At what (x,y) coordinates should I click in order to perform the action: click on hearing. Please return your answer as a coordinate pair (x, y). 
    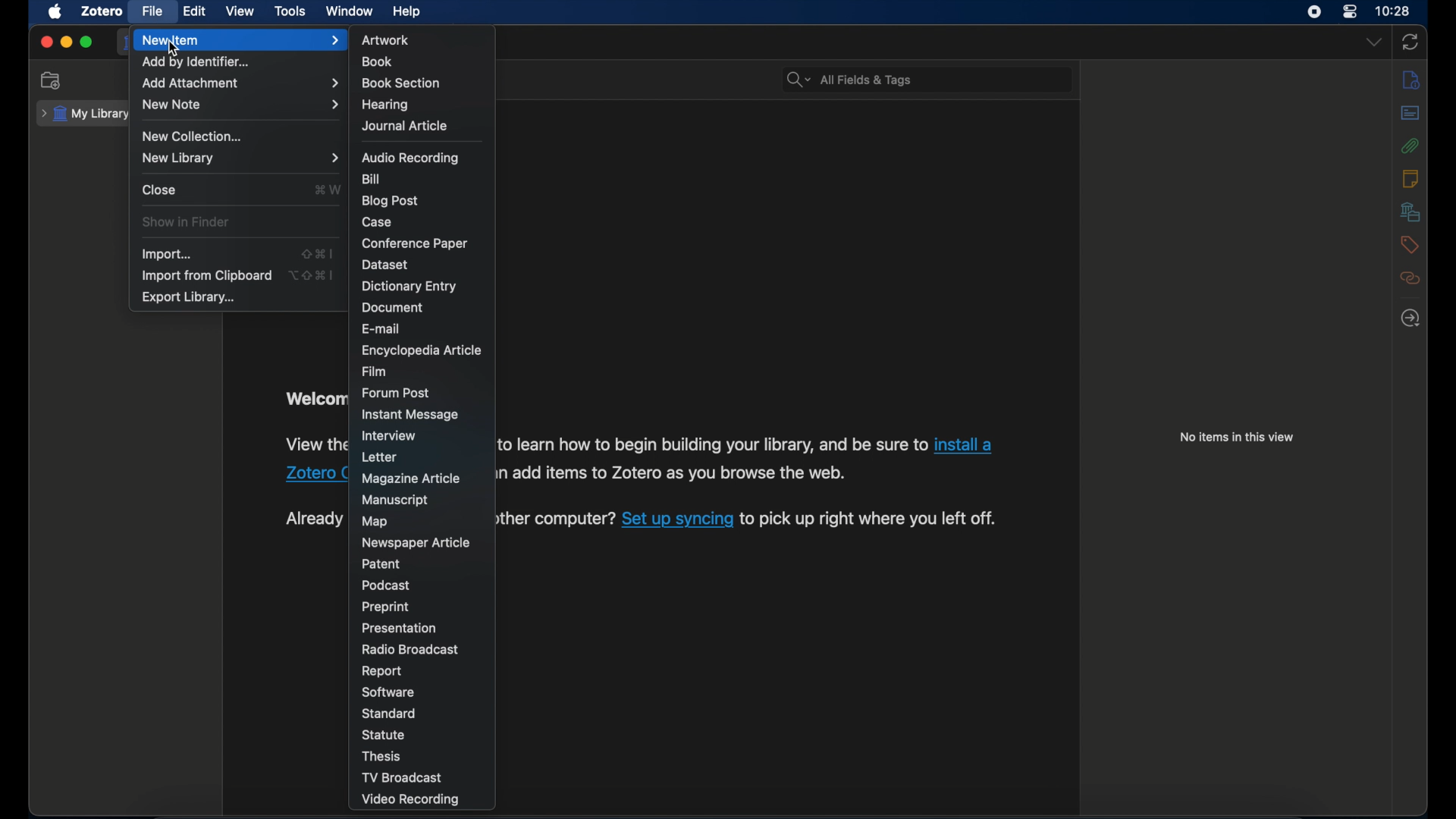
    Looking at the image, I should click on (384, 104).